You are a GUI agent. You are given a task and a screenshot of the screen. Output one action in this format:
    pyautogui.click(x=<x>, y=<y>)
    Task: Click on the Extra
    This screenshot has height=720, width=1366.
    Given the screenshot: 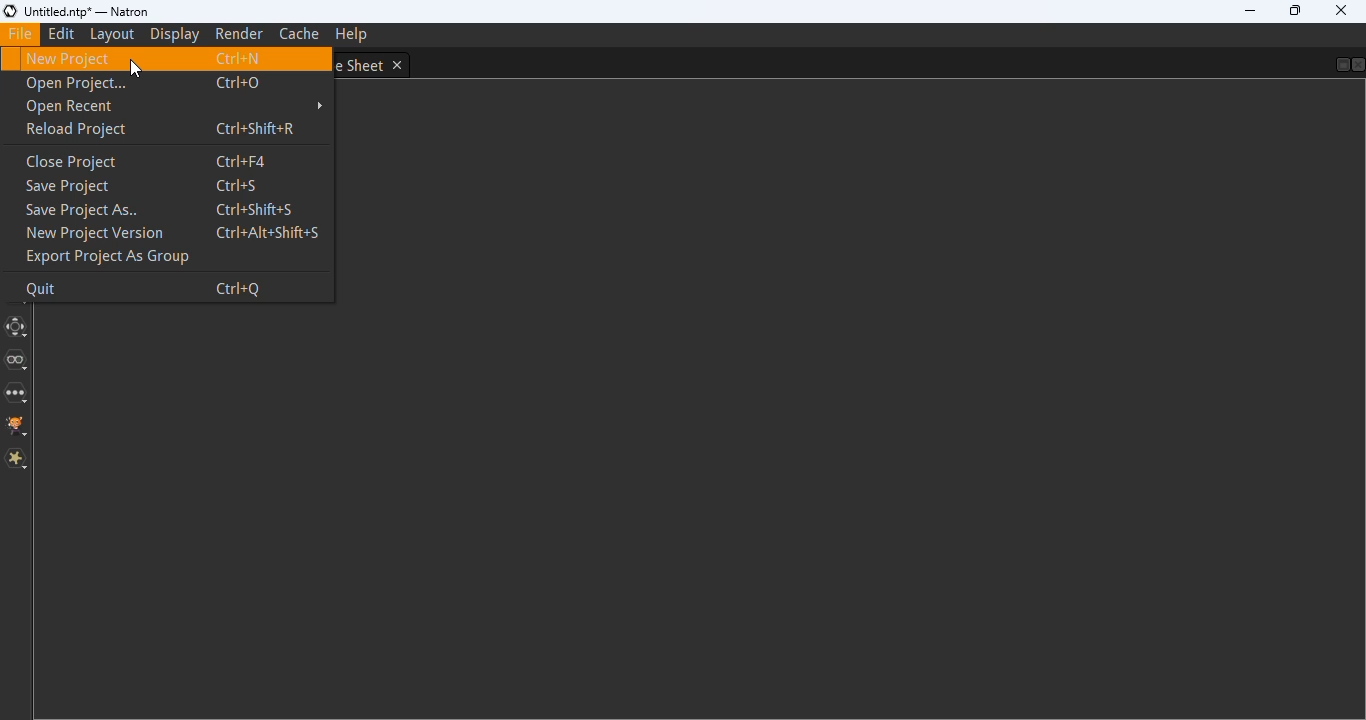 What is the action you would take?
    pyautogui.click(x=17, y=459)
    